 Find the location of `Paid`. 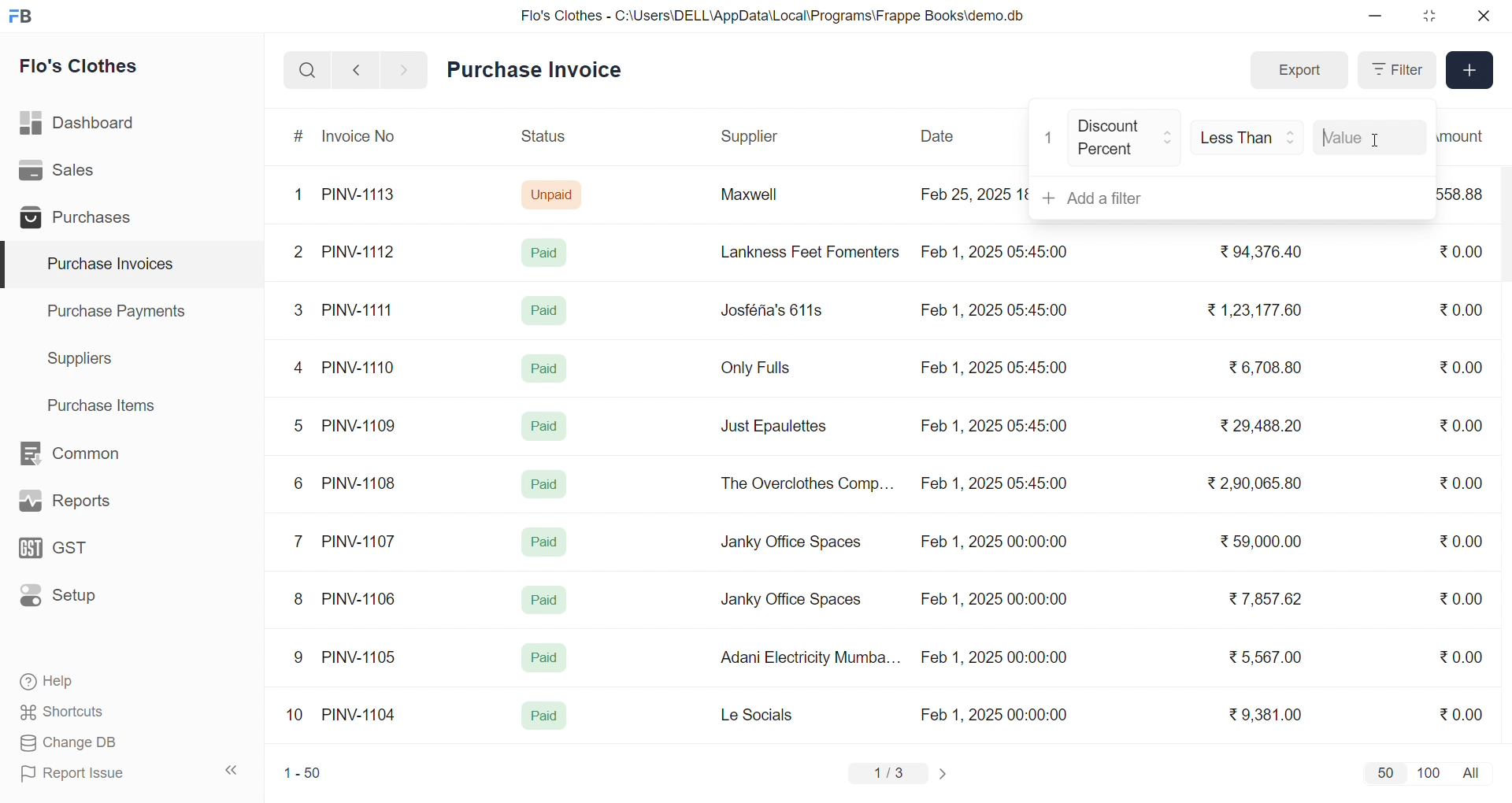

Paid is located at coordinates (543, 367).